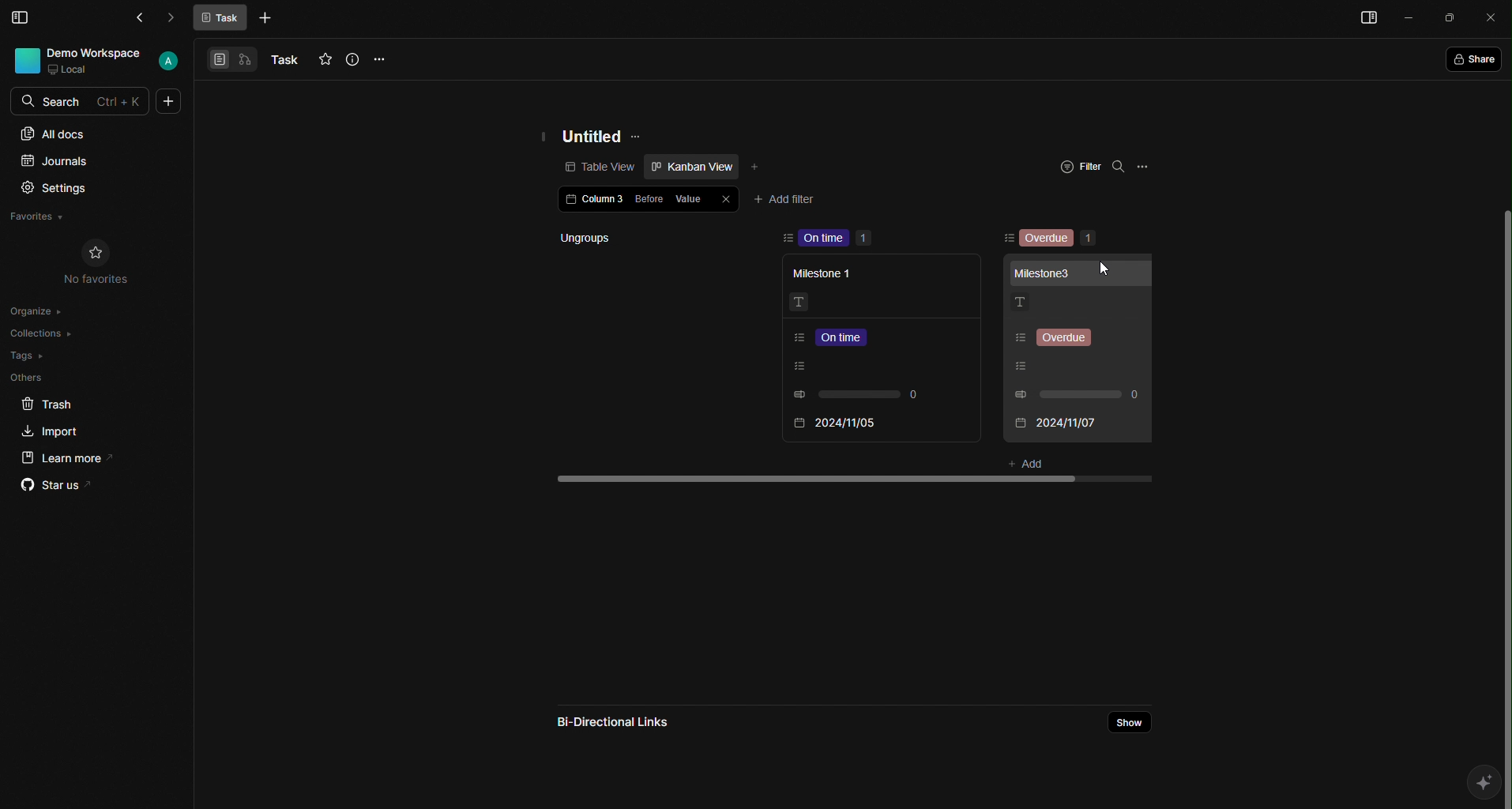  I want to click on Scroll, so click(1502, 425).